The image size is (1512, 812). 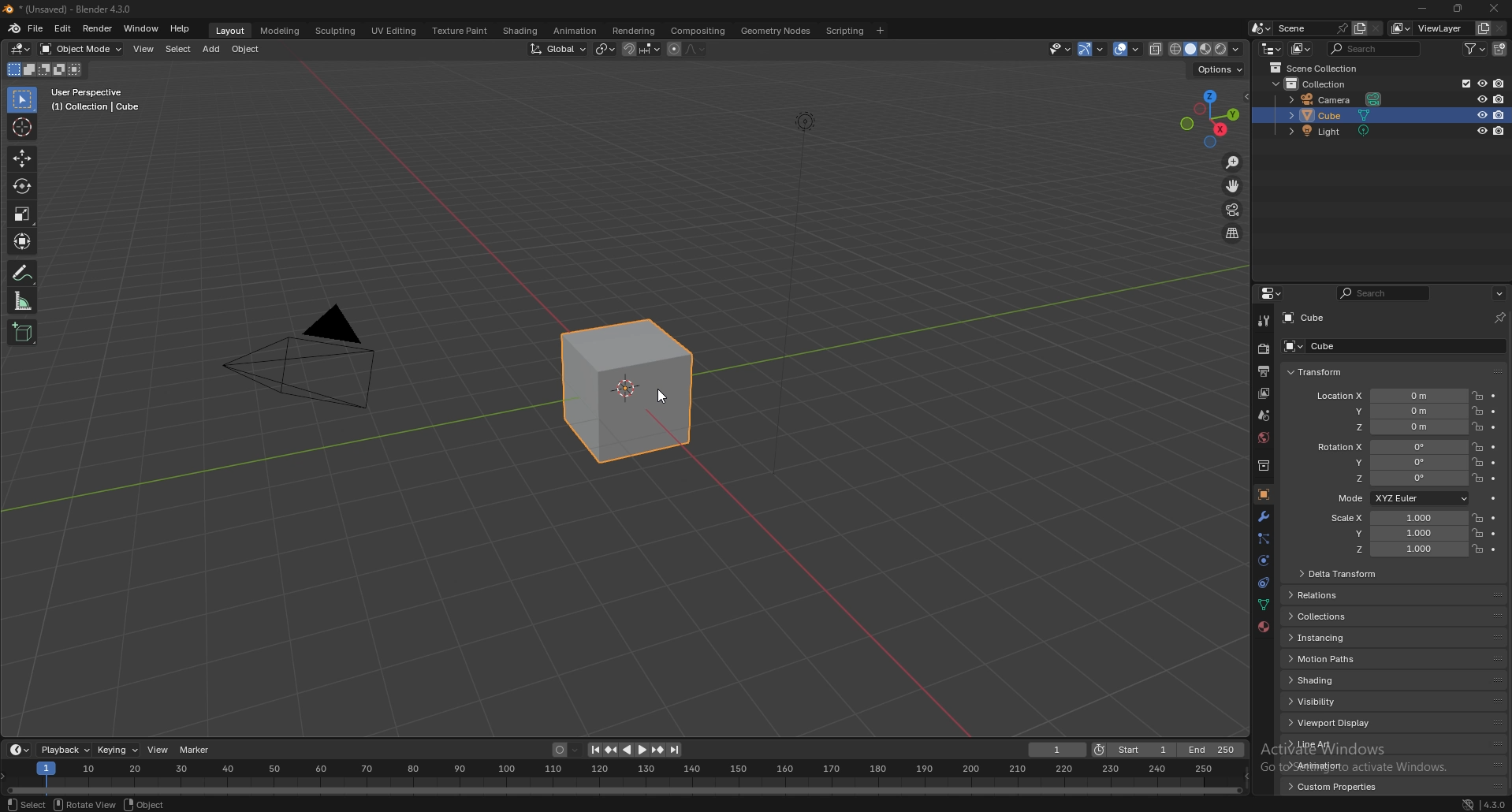 What do you see at coordinates (1477, 549) in the screenshot?
I see `lock location` at bounding box center [1477, 549].